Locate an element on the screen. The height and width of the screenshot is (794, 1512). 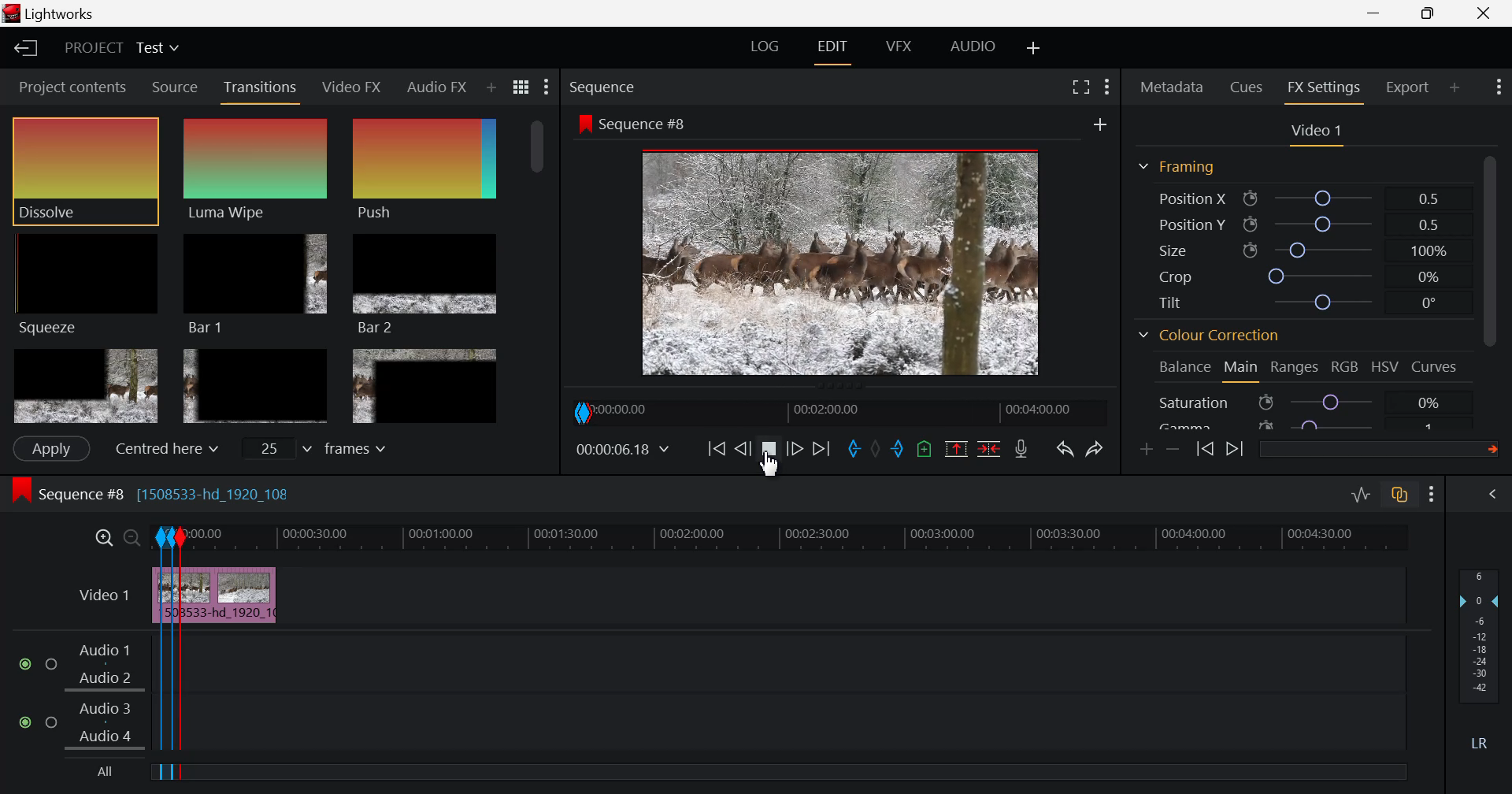
All is located at coordinates (109, 773).